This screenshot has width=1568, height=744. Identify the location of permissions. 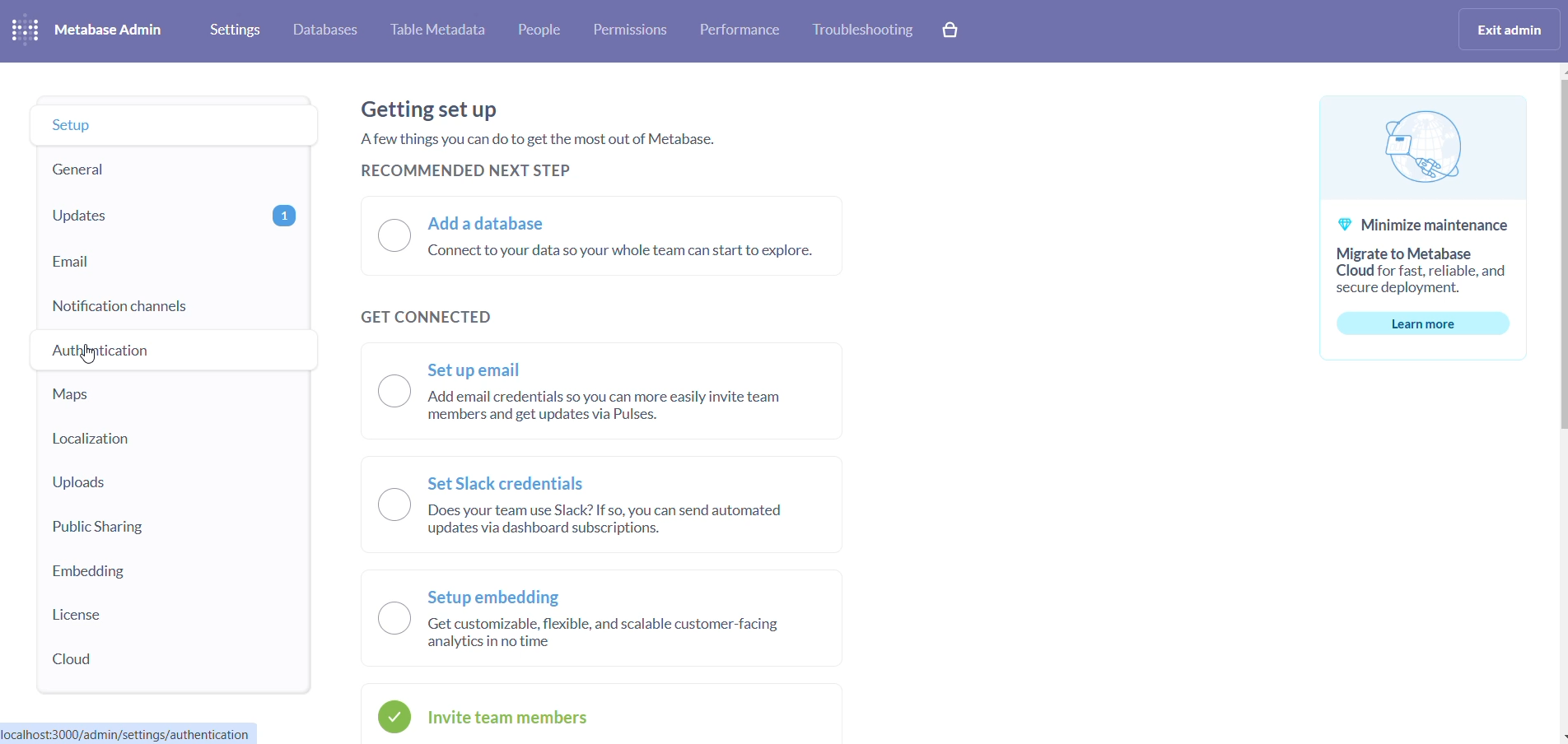
(632, 28).